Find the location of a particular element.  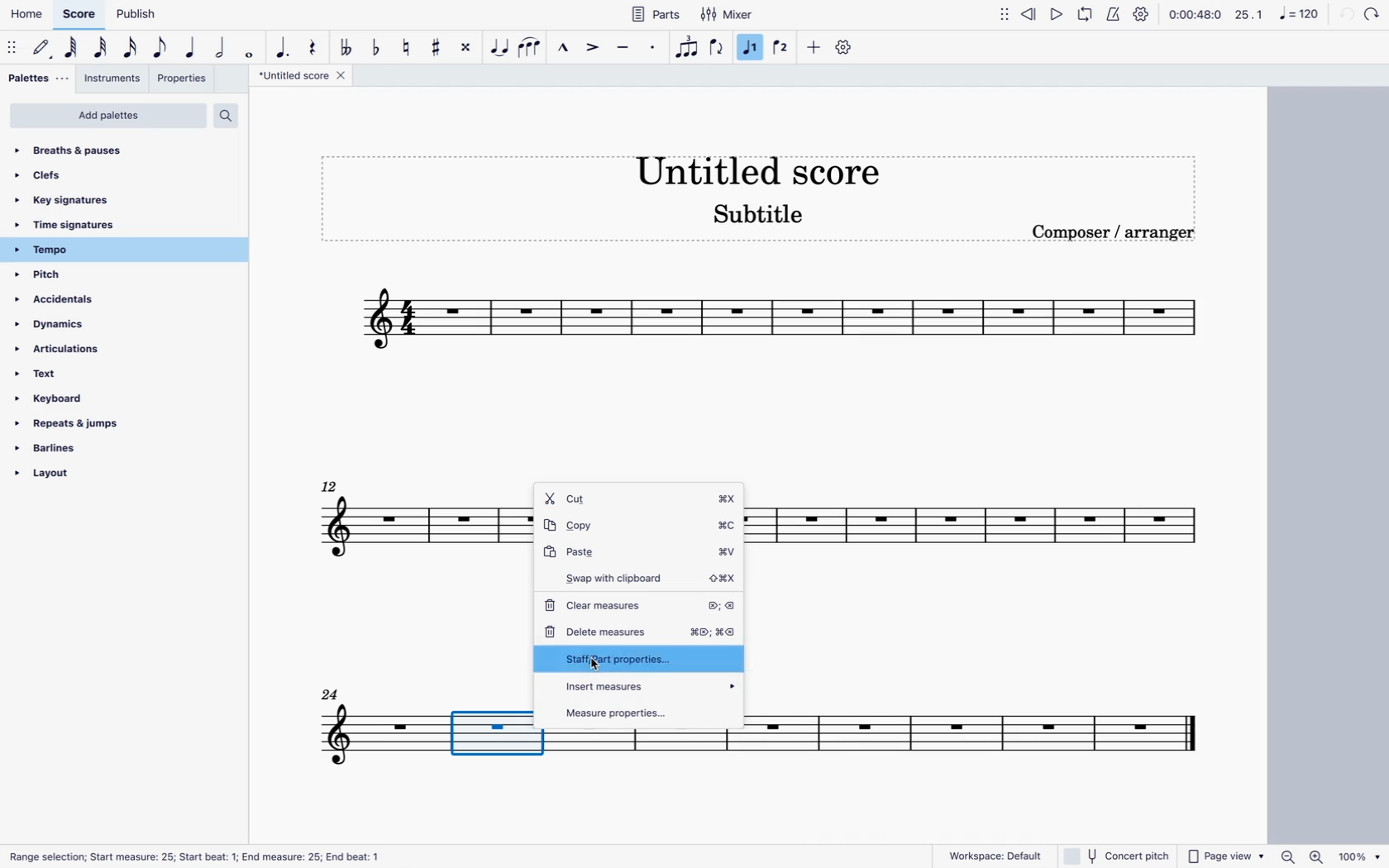

score title is located at coordinates (304, 77).